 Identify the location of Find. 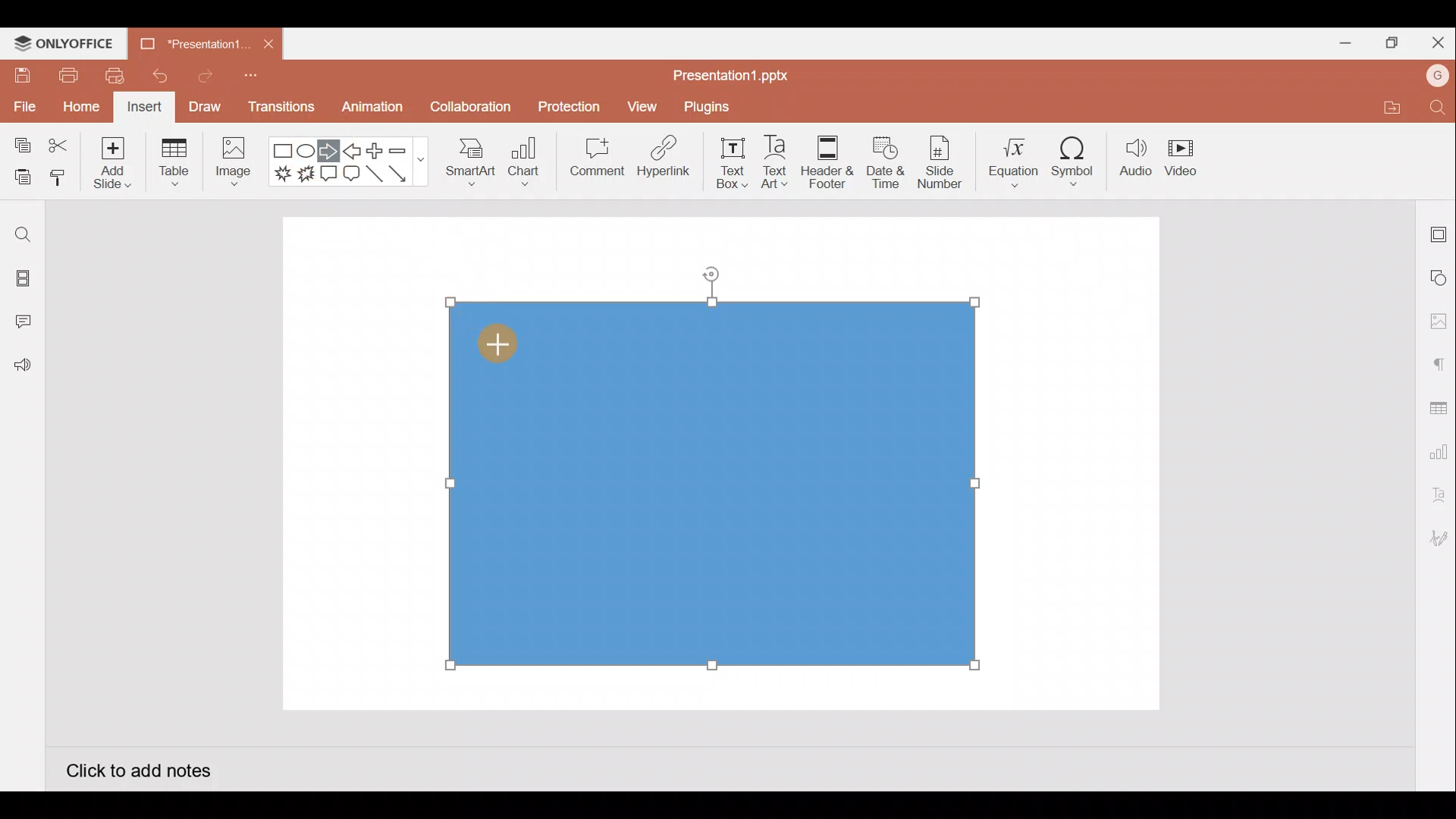
(23, 234).